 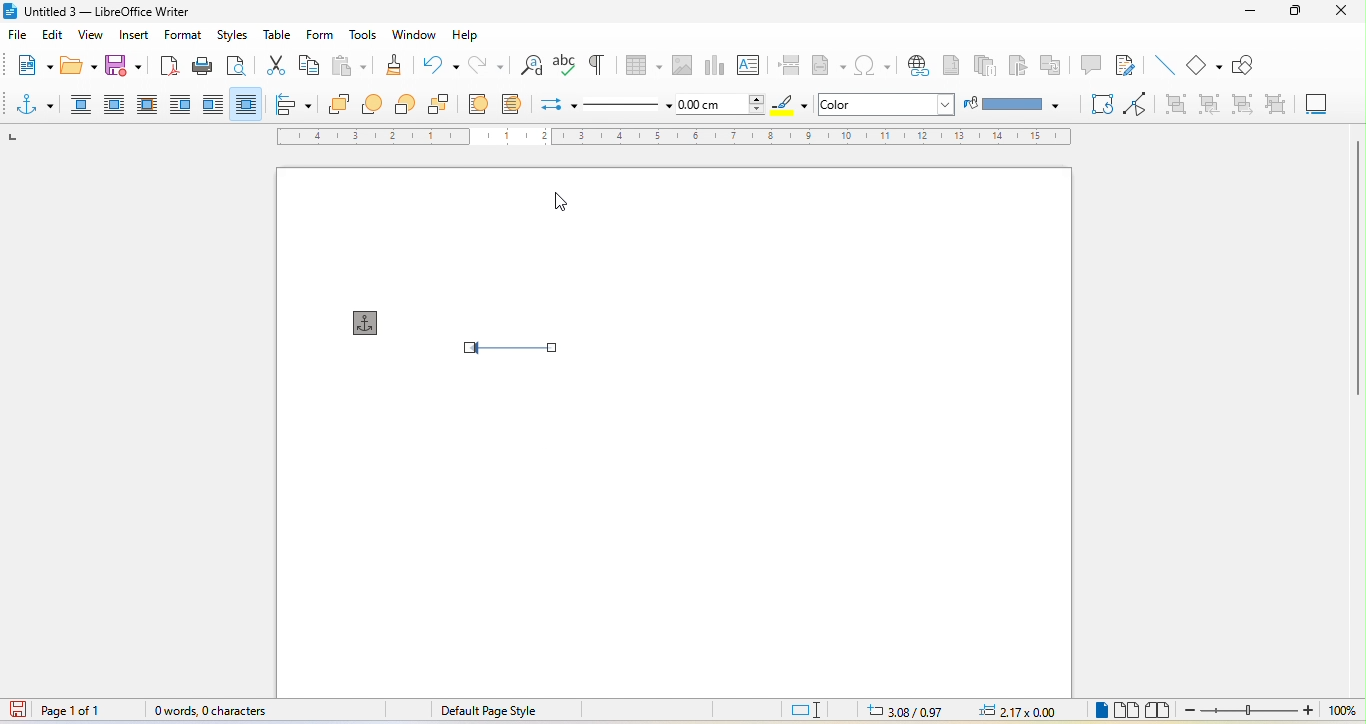 I want to click on fill color, so click(x=1014, y=104).